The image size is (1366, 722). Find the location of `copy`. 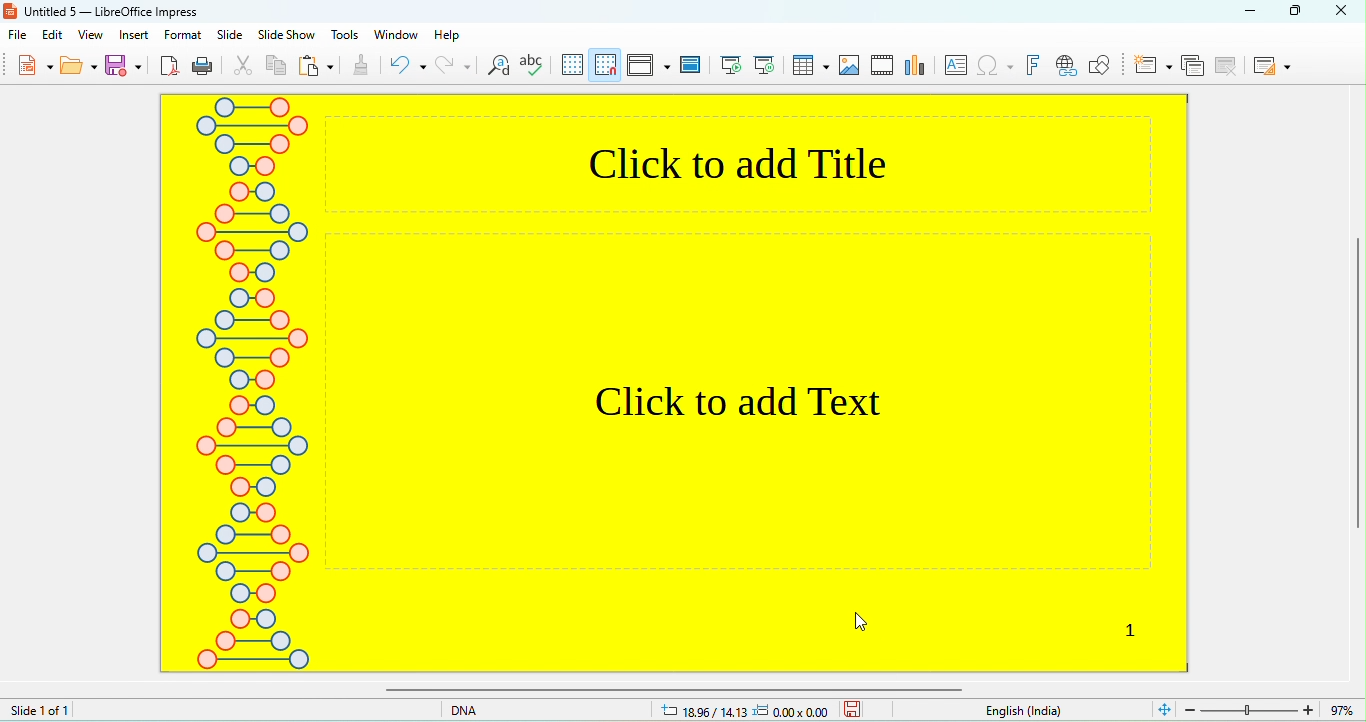

copy is located at coordinates (277, 68).